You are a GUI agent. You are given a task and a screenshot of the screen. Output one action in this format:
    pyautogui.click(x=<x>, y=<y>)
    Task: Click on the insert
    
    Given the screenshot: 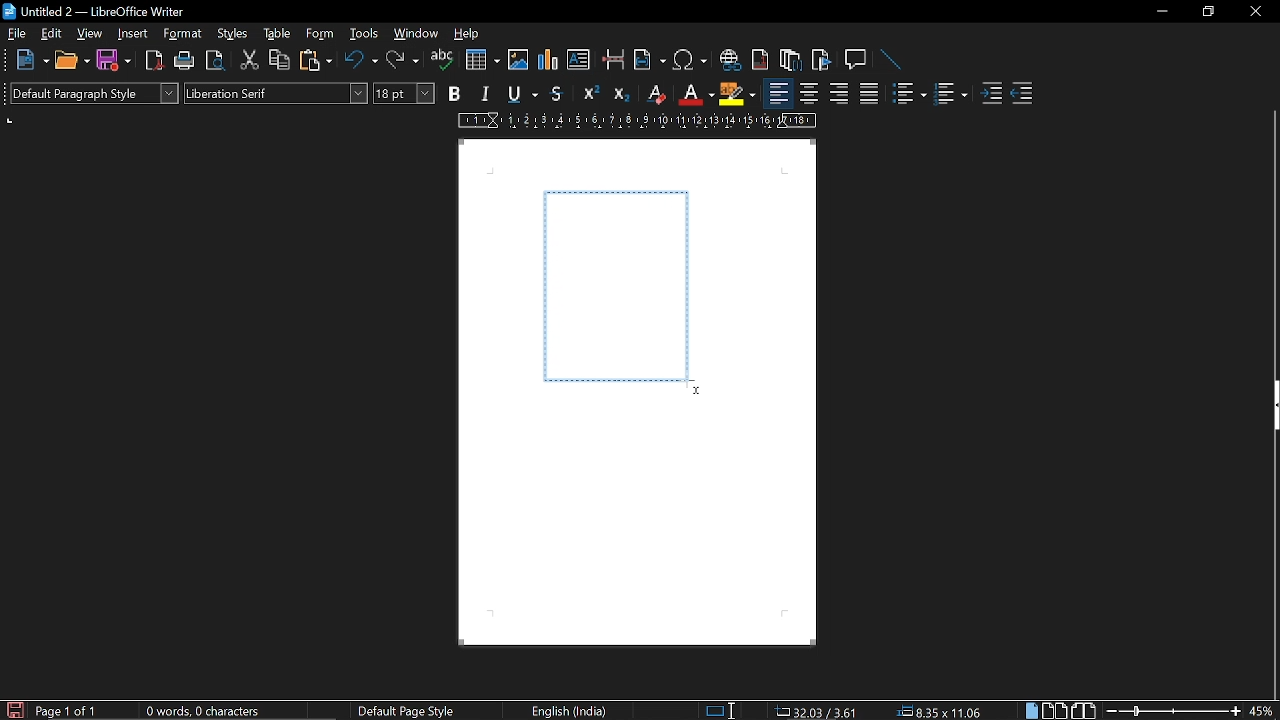 What is the action you would take?
    pyautogui.click(x=133, y=34)
    